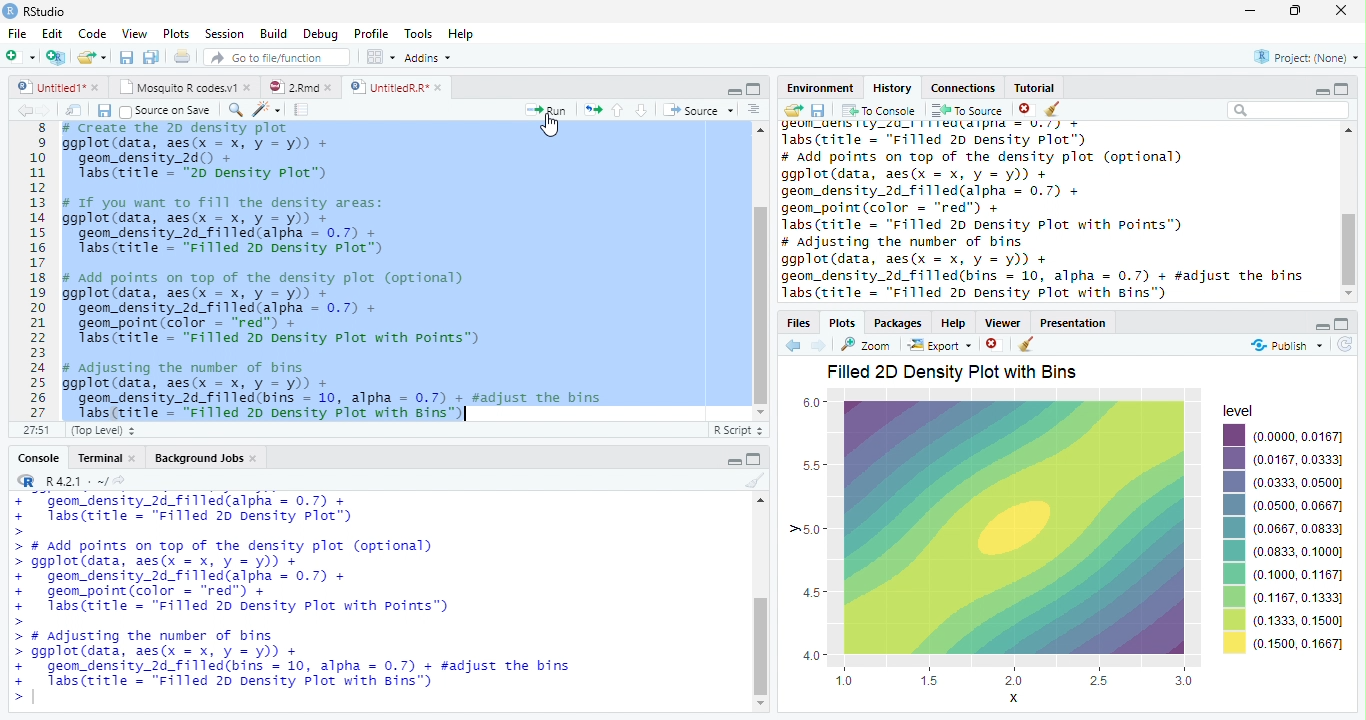 This screenshot has height=720, width=1366. I want to click on Presentatior, so click(1072, 324).